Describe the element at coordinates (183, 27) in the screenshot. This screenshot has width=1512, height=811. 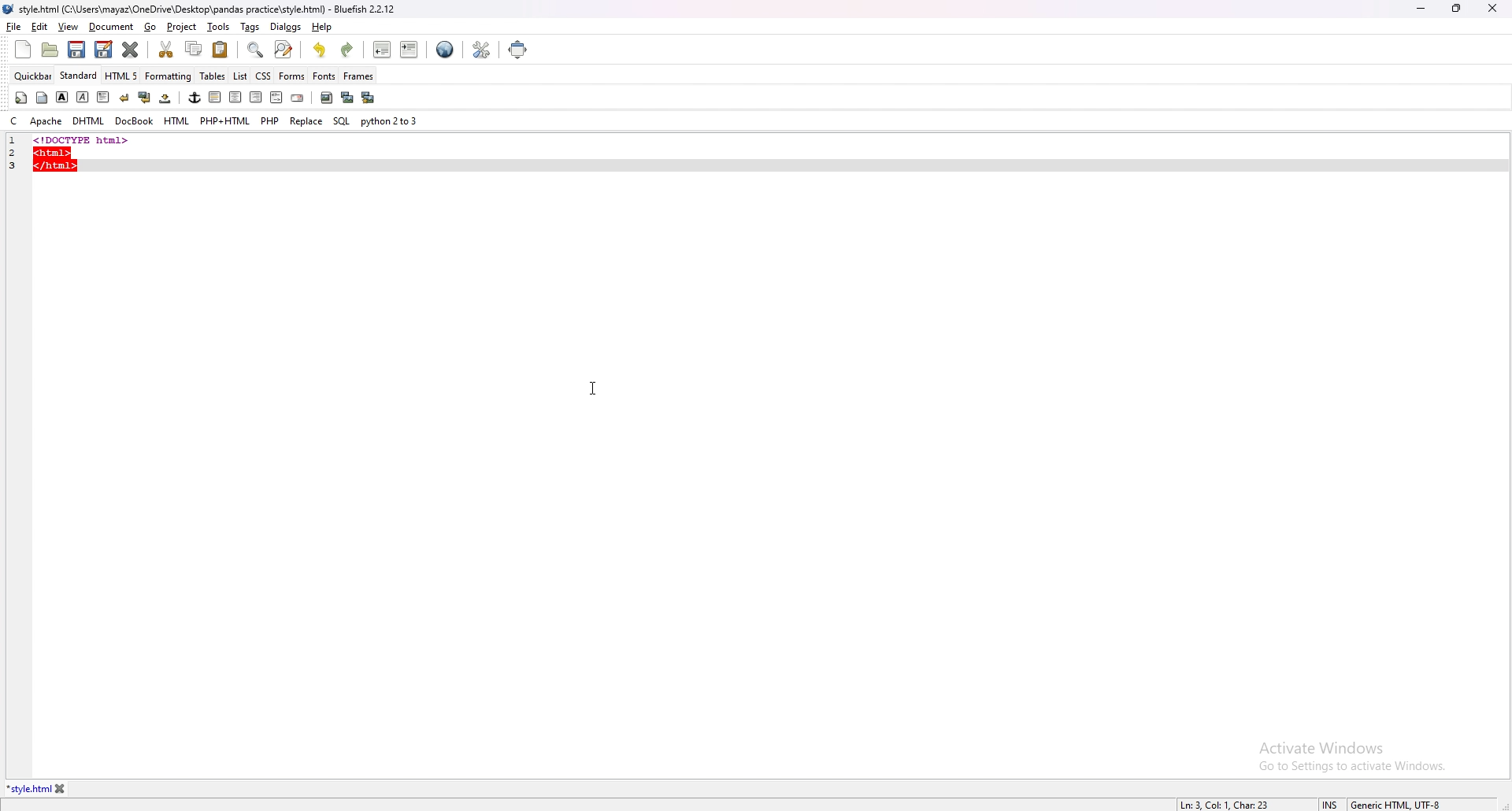
I see `project` at that location.